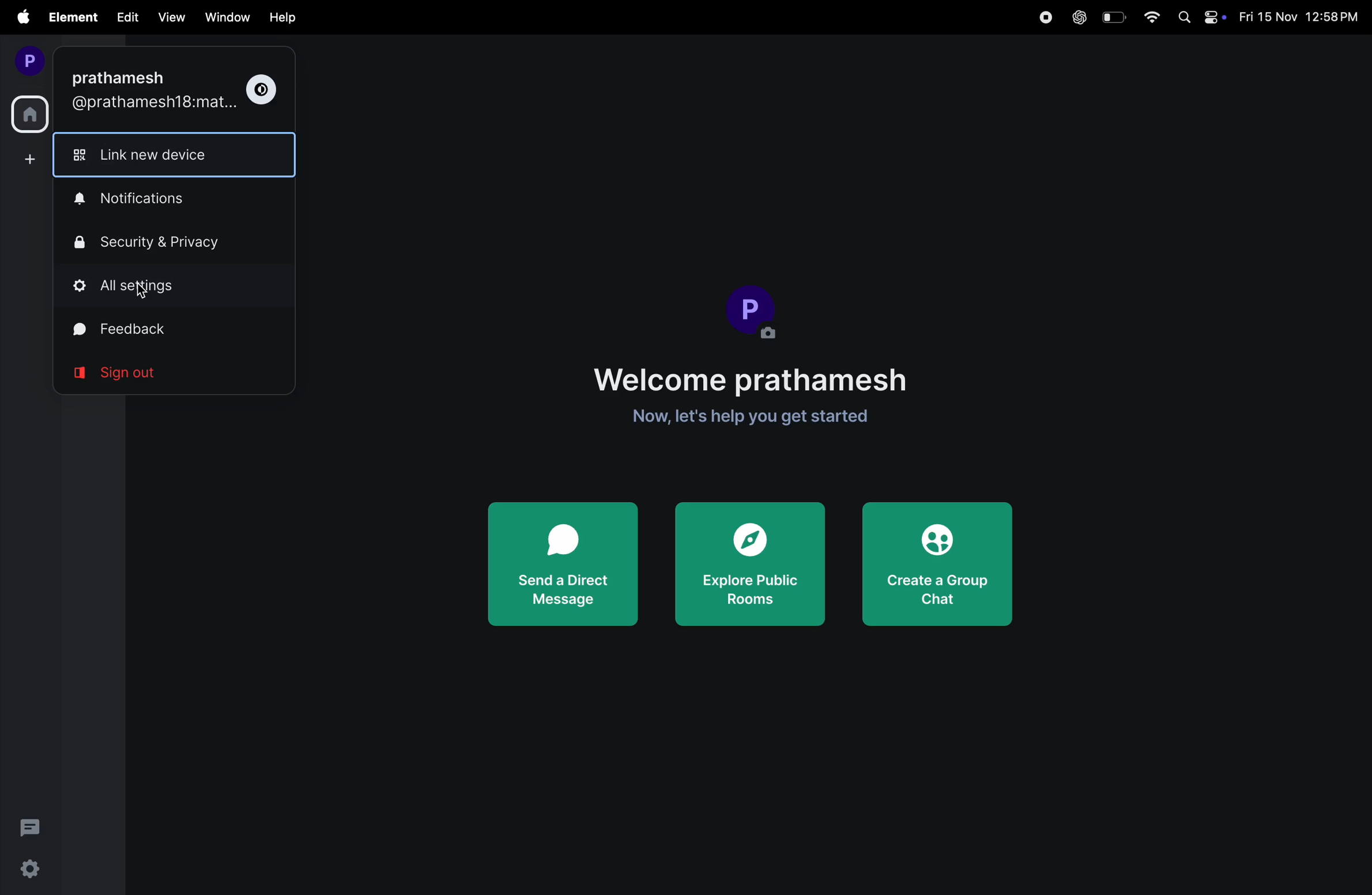 The image size is (1372, 895). What do you see at coordinates (177, 200) in the screenshot?
I see `notifications` at bounding box center [177, 200].